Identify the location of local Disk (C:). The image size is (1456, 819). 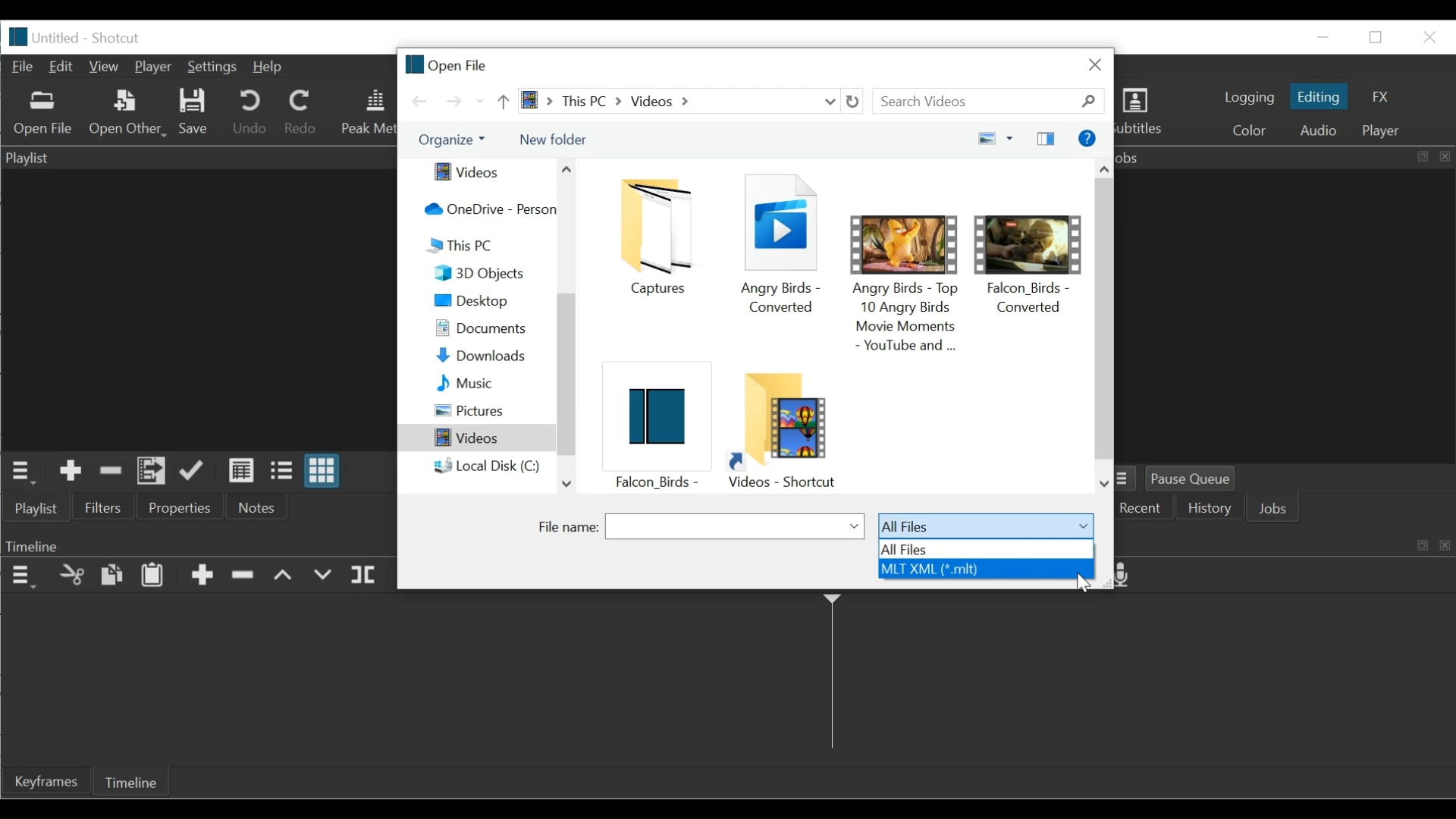
(488, 466).